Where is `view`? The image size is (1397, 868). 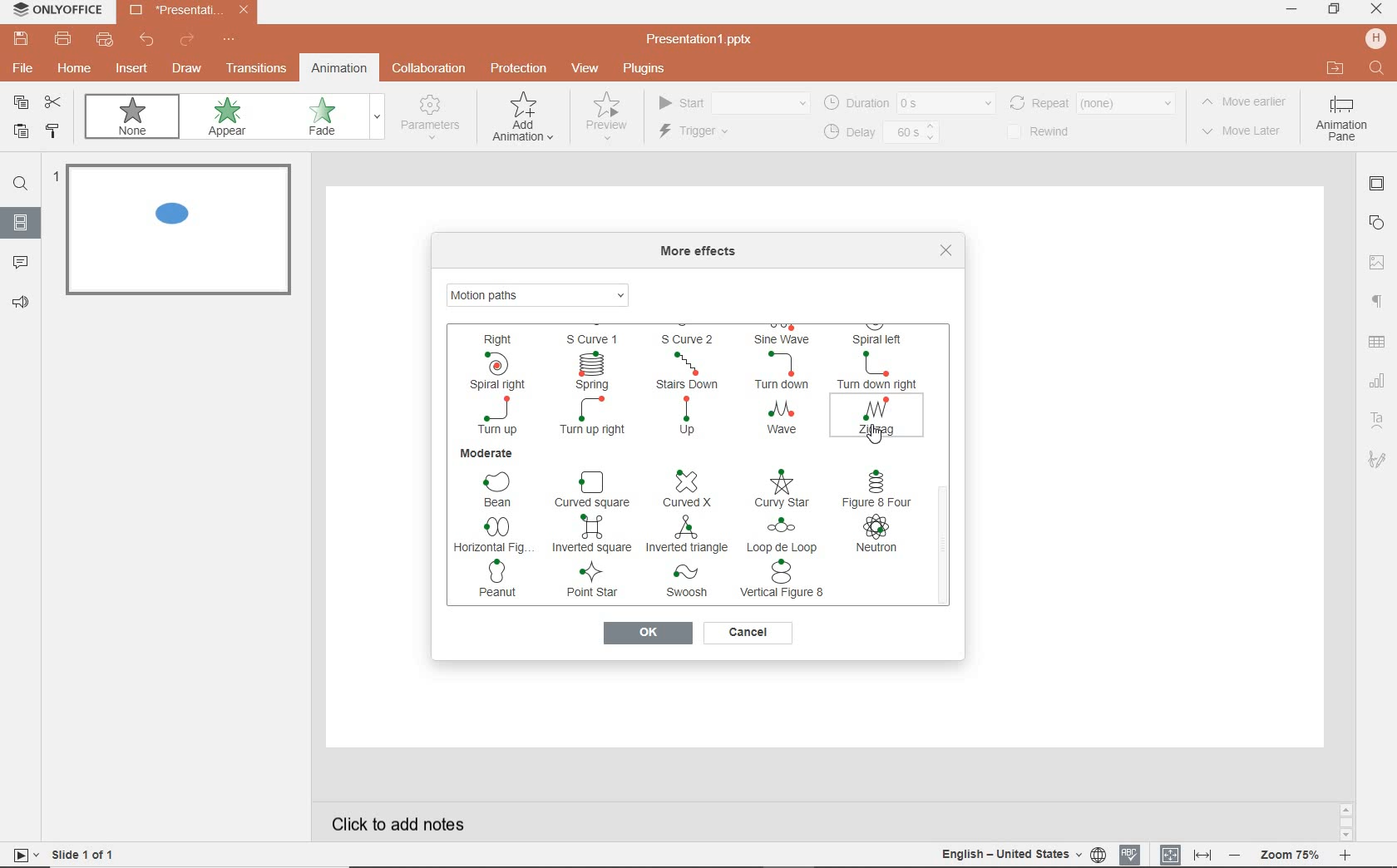
view is located at coordinates (588, 69).